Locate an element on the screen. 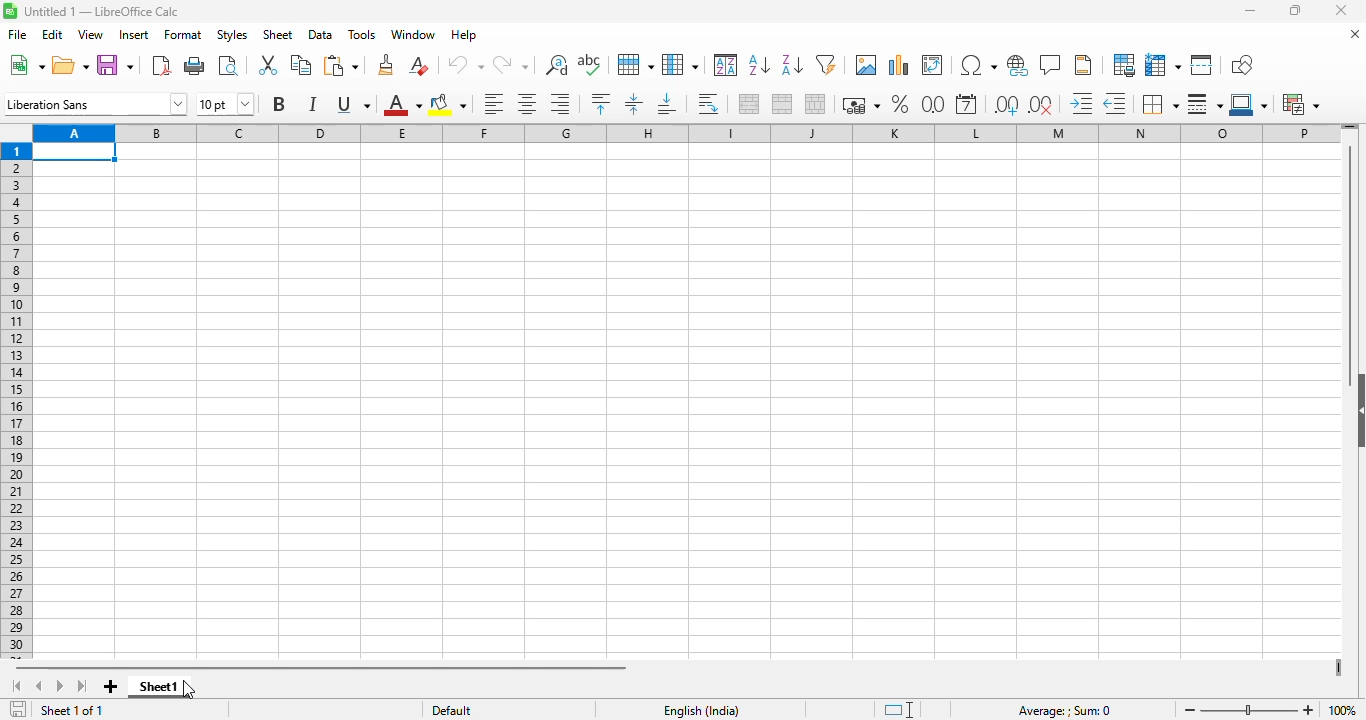  standard selection is located at coordinates (900, 709).